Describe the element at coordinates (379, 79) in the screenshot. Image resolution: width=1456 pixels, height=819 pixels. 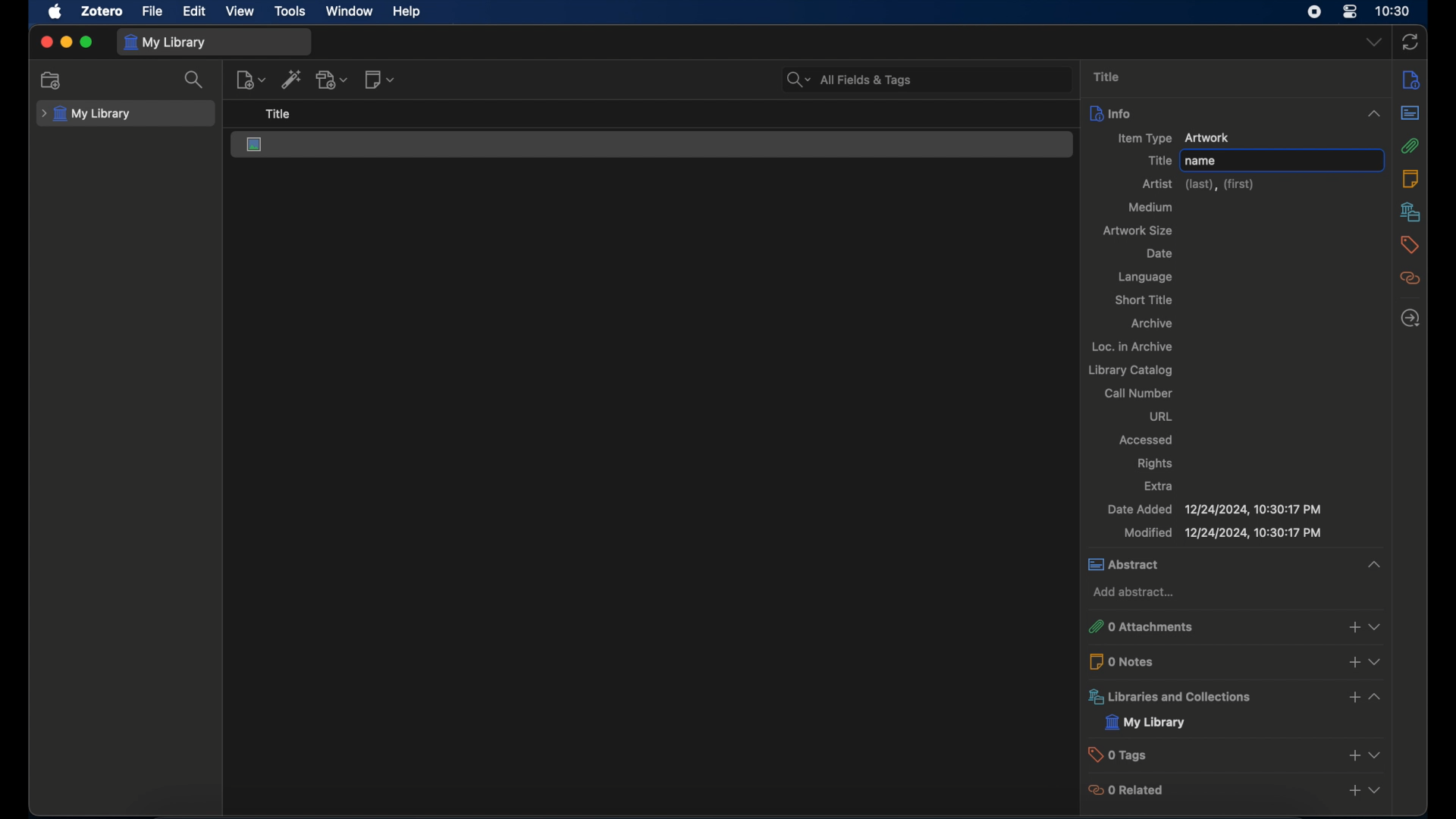
I see `new notes` at that location.